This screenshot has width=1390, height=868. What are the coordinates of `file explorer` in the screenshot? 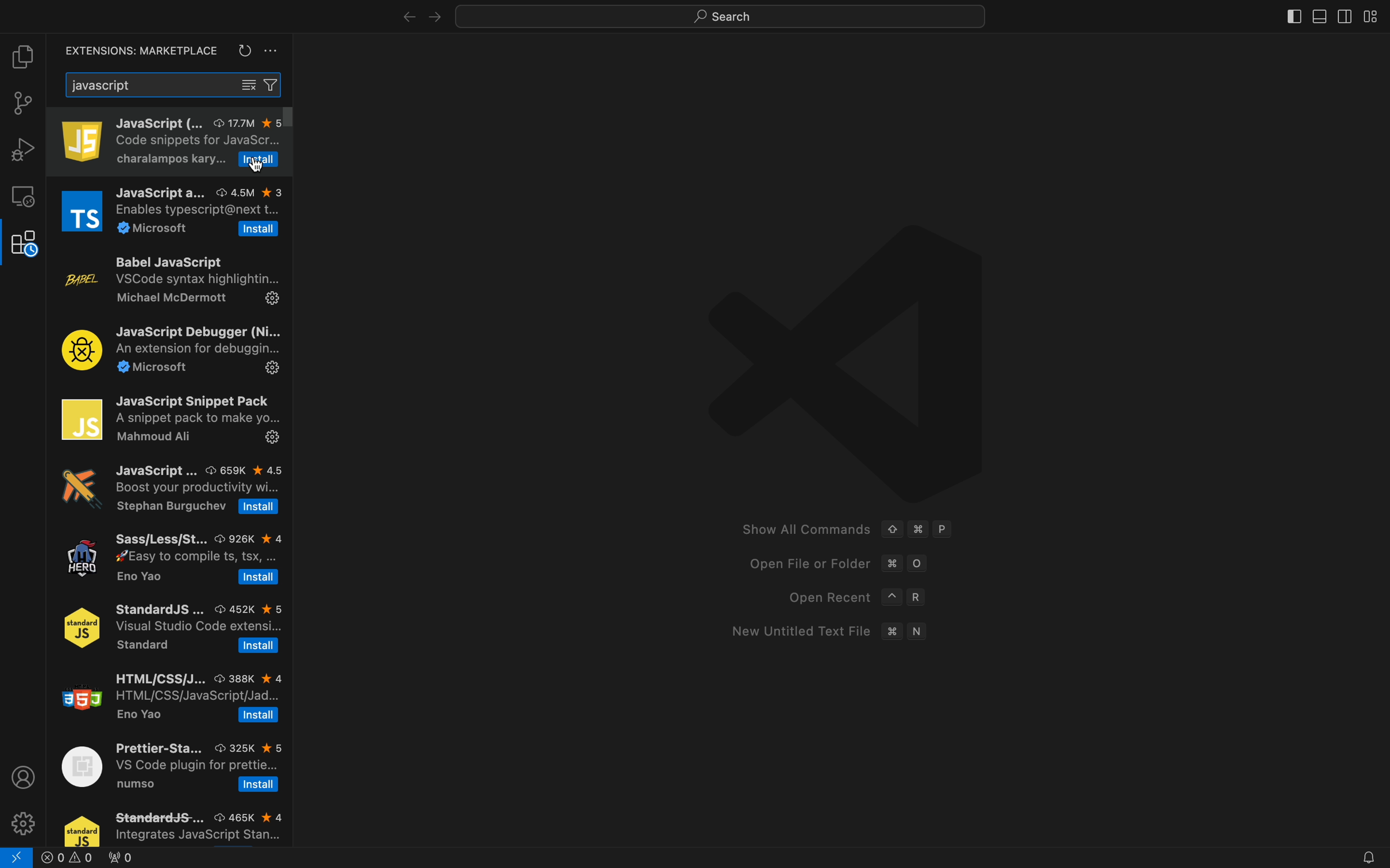 It's located at (25, 56).